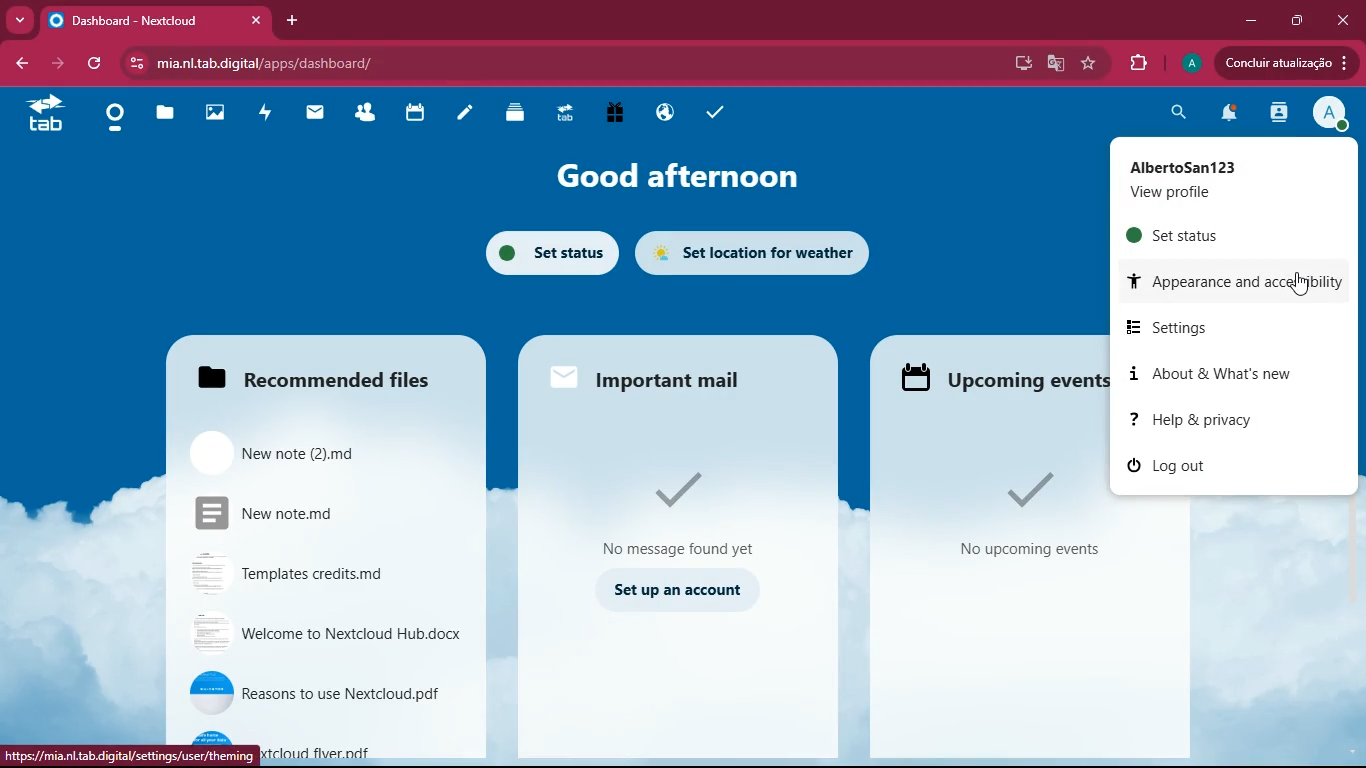 Image resolution: width=1366 pixels, height=768 pixels. Describe the element at coordinates (546, 249) in the screenshot. I see `set status` at that location.